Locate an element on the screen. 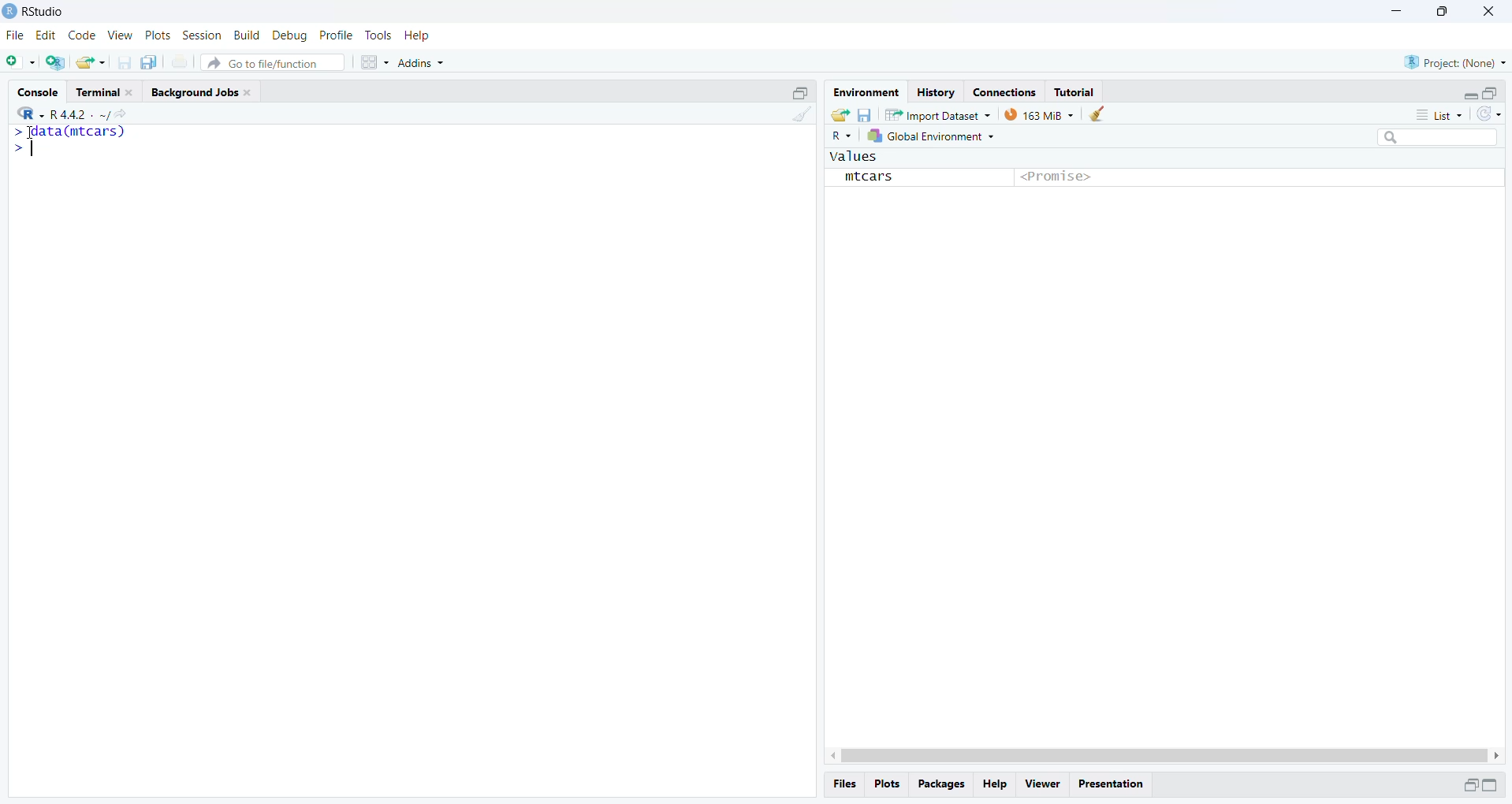 This screenshot has width=1512, height=804. Values is located at coordinates (854, 156).